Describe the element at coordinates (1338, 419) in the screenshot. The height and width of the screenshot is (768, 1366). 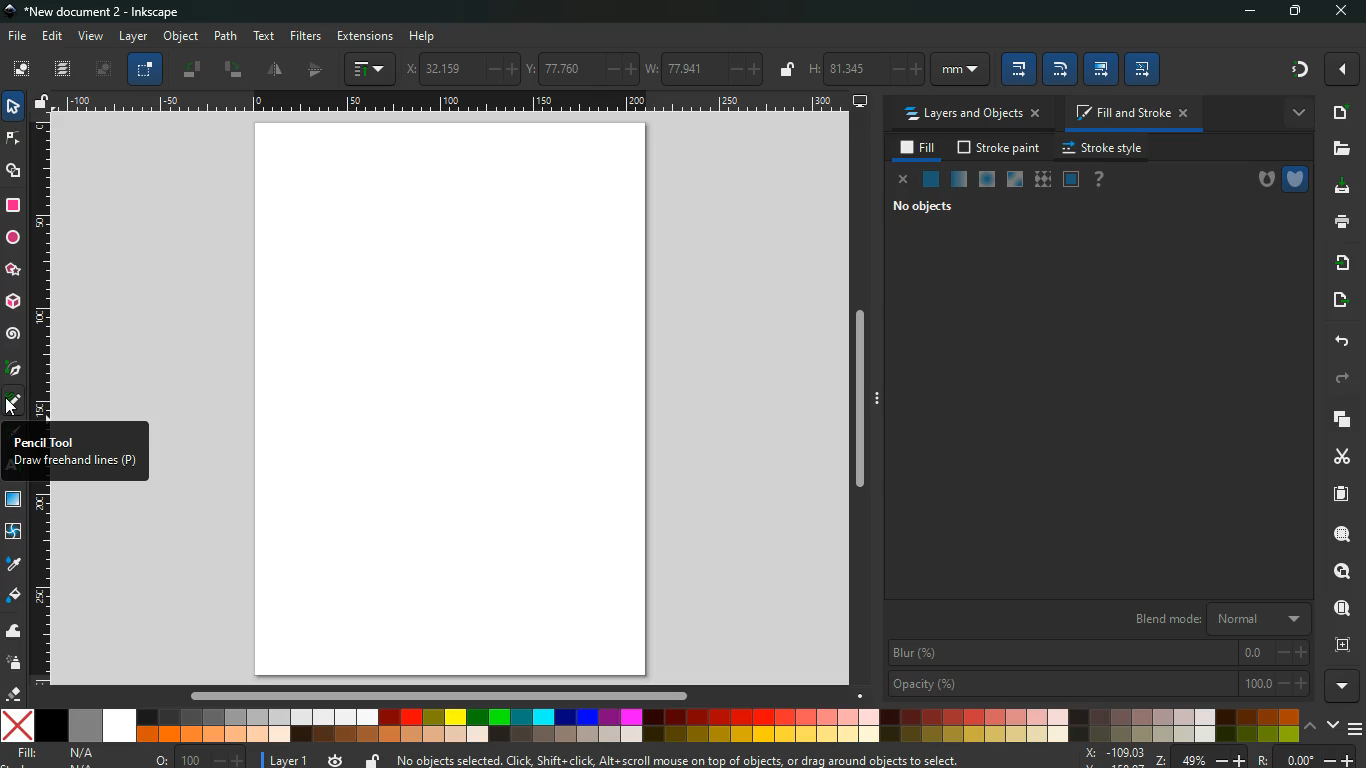
I see `layers` at that location.